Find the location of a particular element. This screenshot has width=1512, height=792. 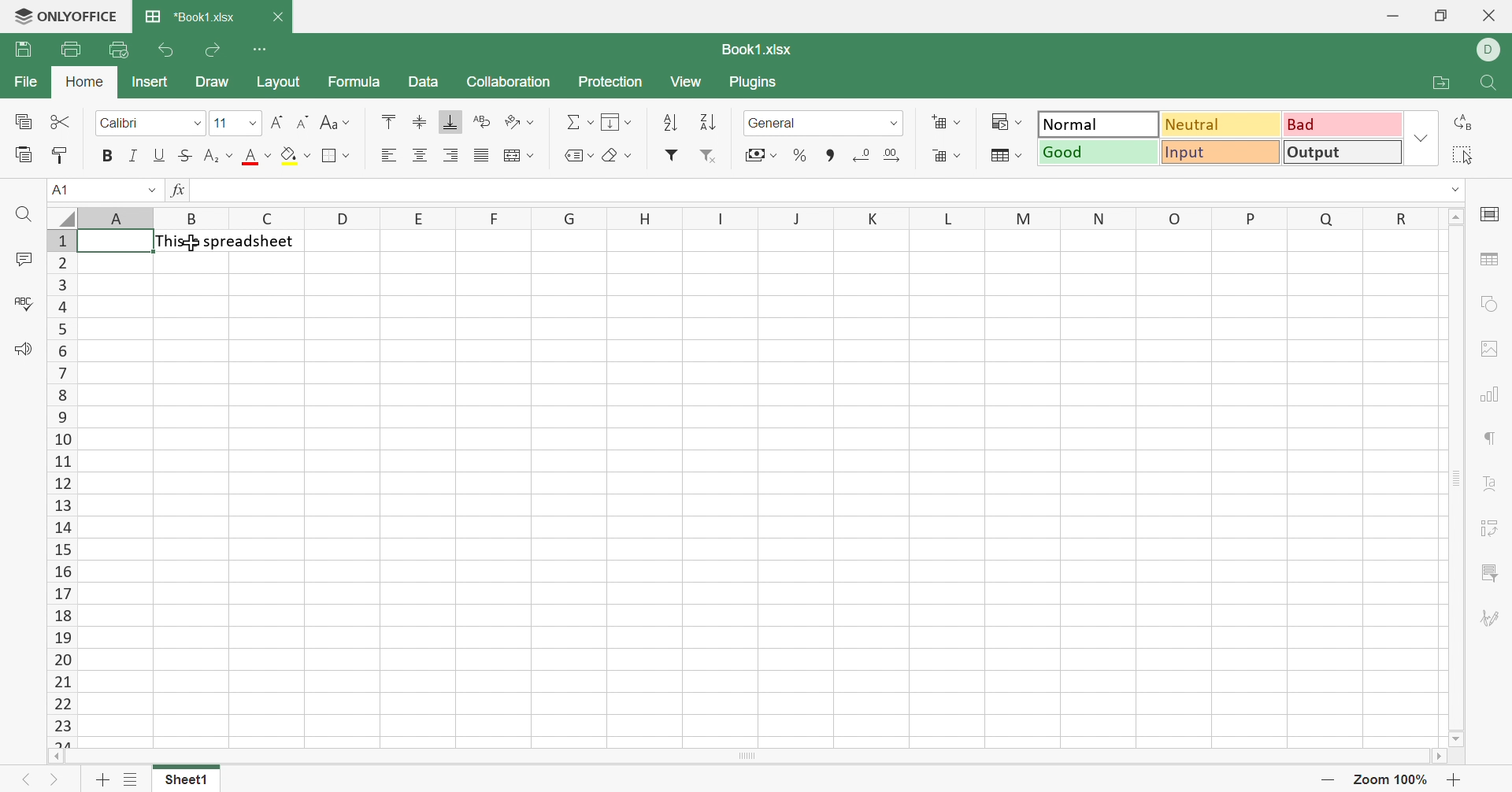

Home is located at coordinates (83, 81).